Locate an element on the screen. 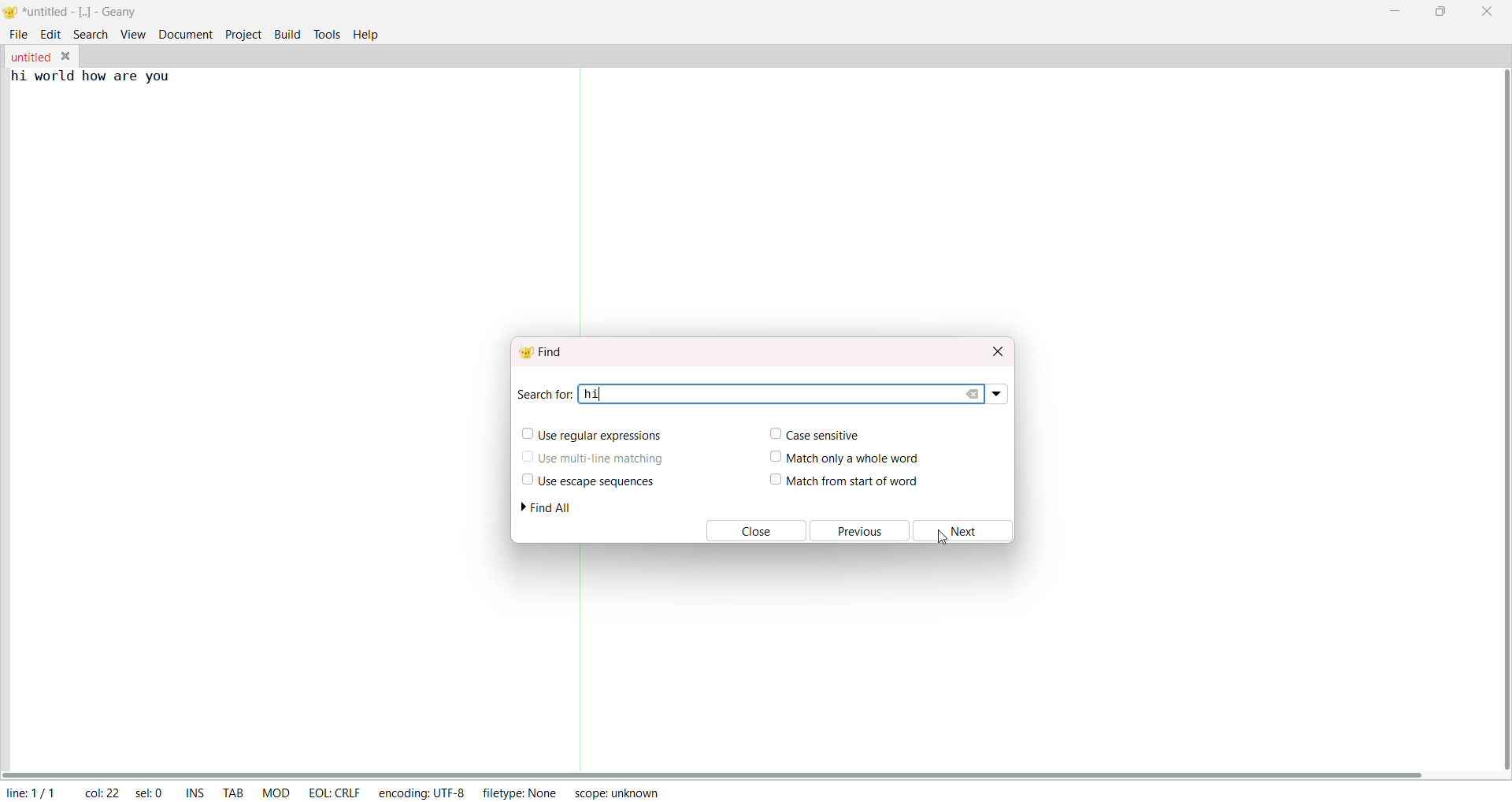  help is located at coordinates (366, 35).